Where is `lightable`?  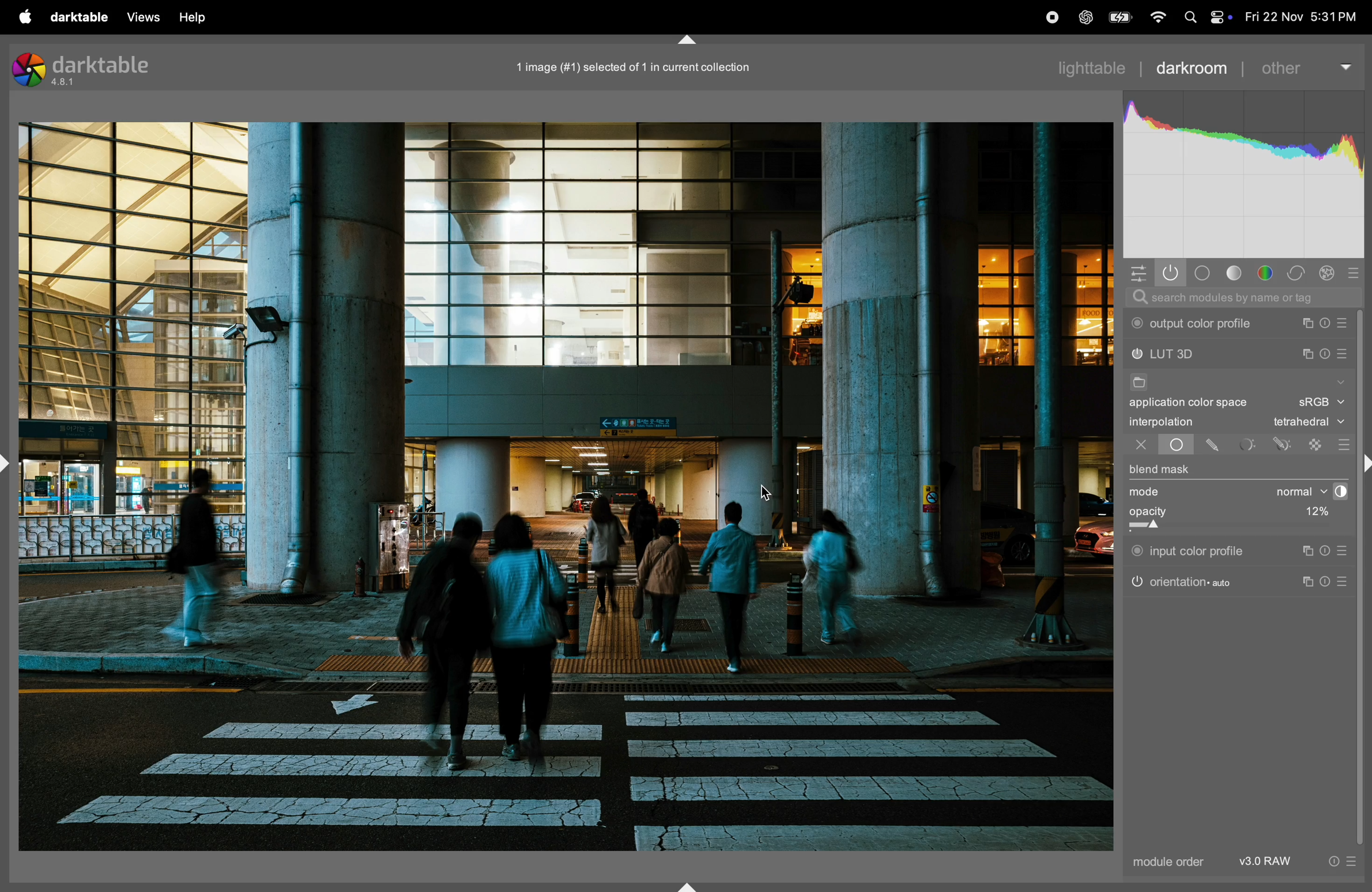 lightable is located at coordinates (1095, 67).